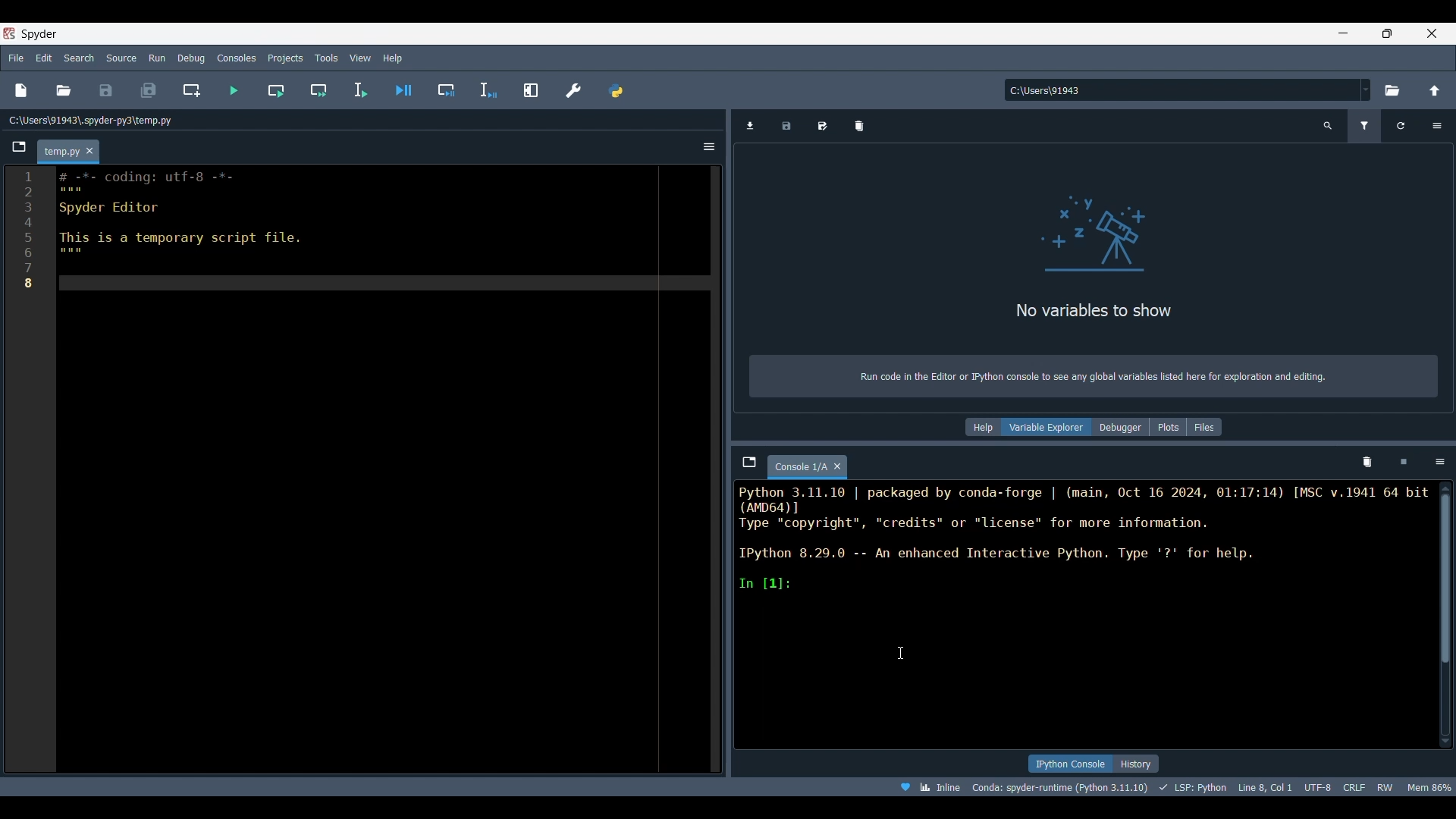 The width and height of the screenshot is (1456, 819). Describe the element at coordinates (318, 90) in the screenshot. I see `Run current cell and go to the next one` at that location.